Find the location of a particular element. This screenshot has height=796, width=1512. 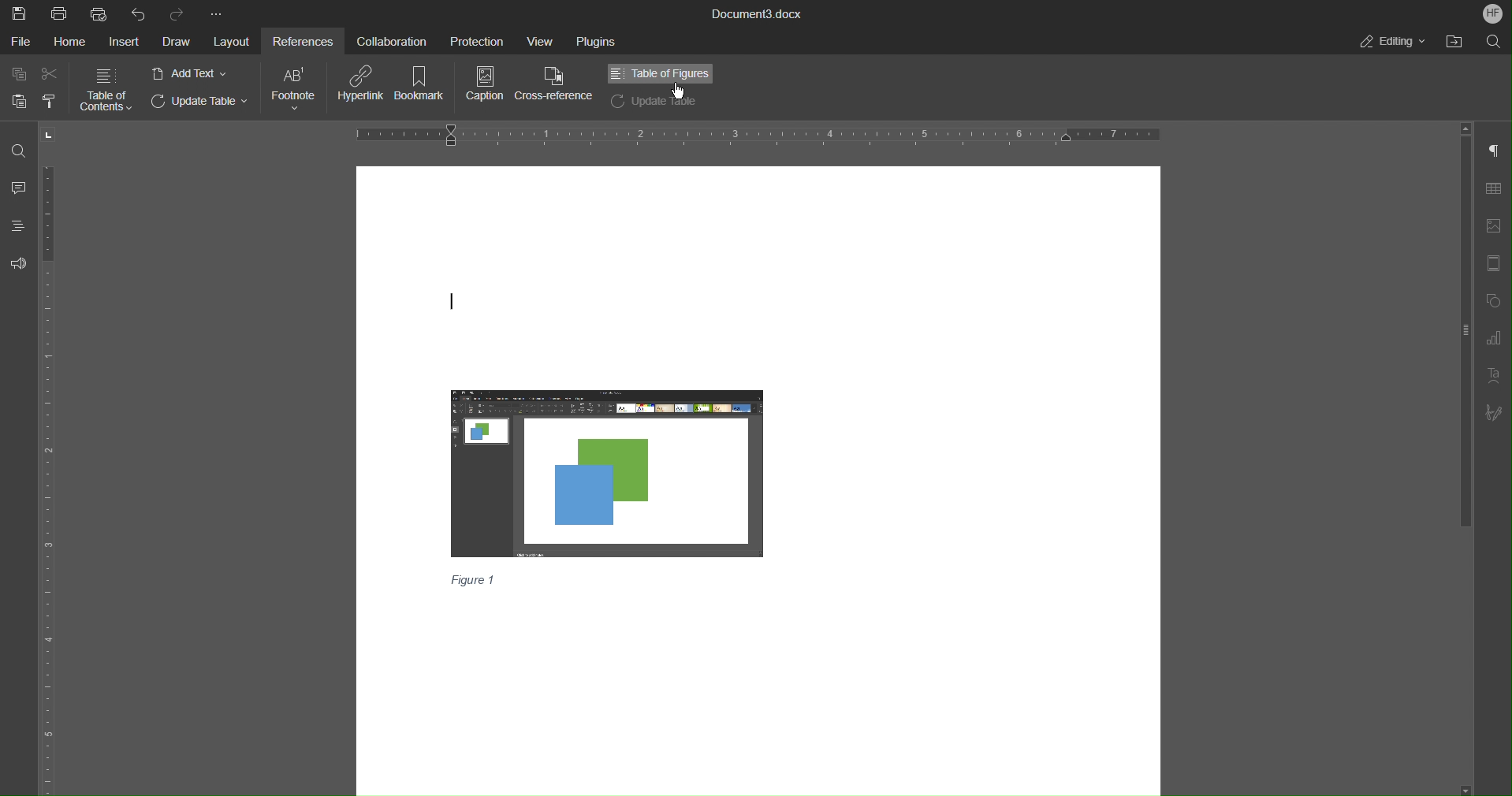

Header/Footer is located at coordinates (1495, 265).